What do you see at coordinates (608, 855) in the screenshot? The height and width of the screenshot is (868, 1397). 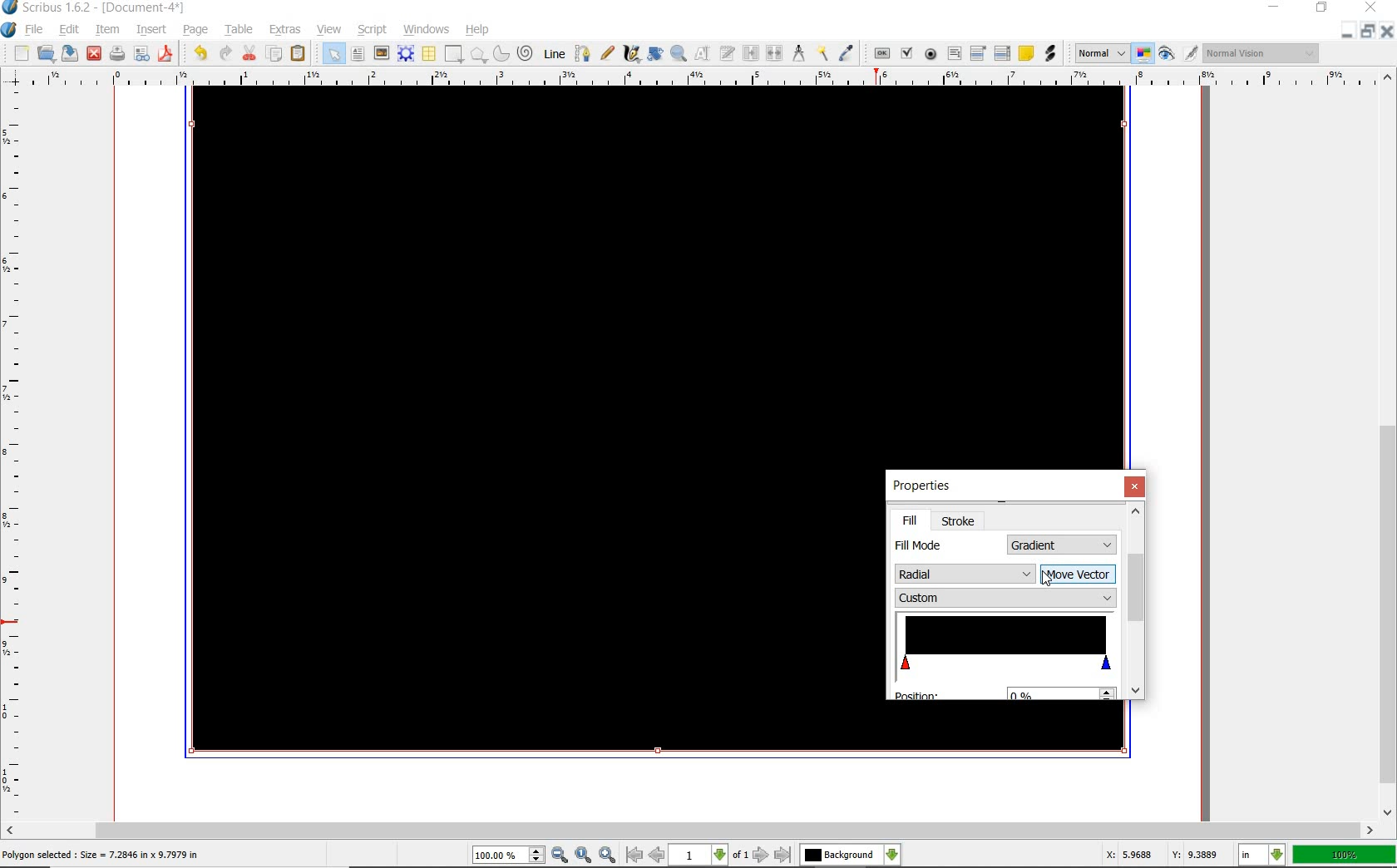 I see `zoom in` at bounding box center [608, 855].